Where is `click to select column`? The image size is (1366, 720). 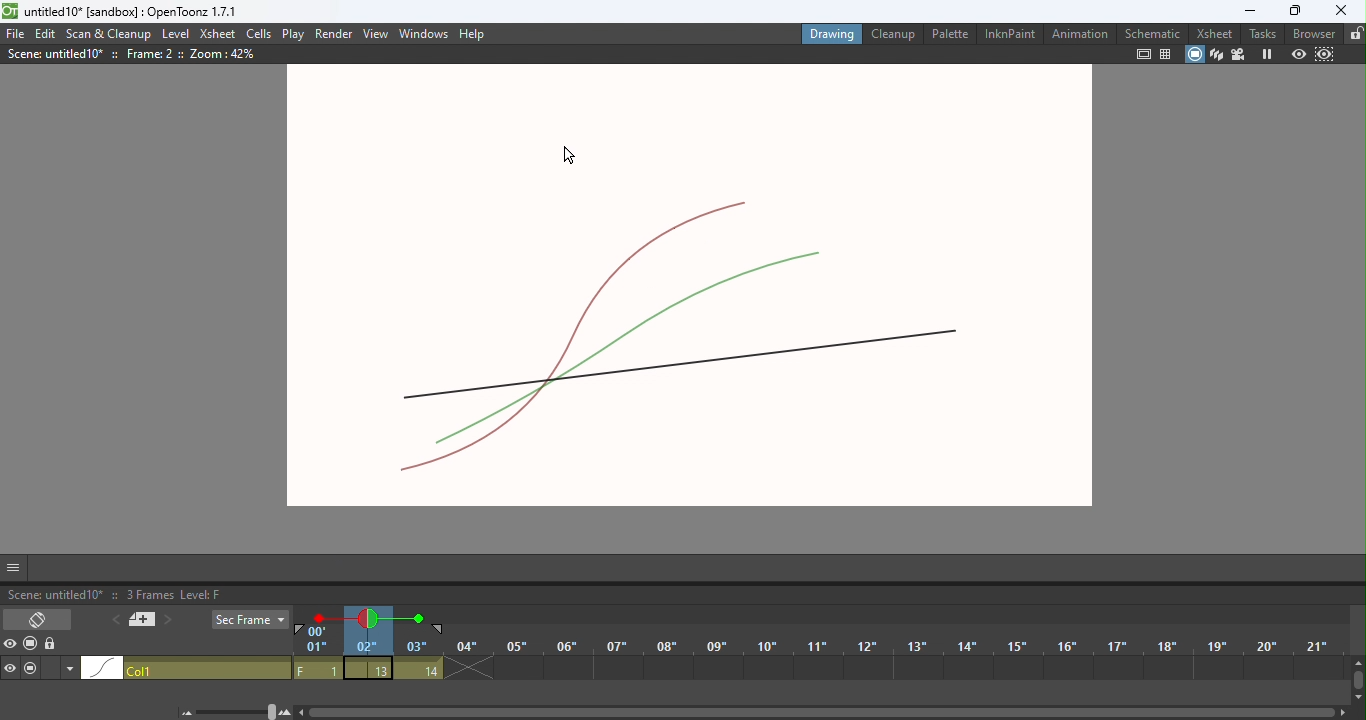
click to select column is located at coordinates (187, 669).